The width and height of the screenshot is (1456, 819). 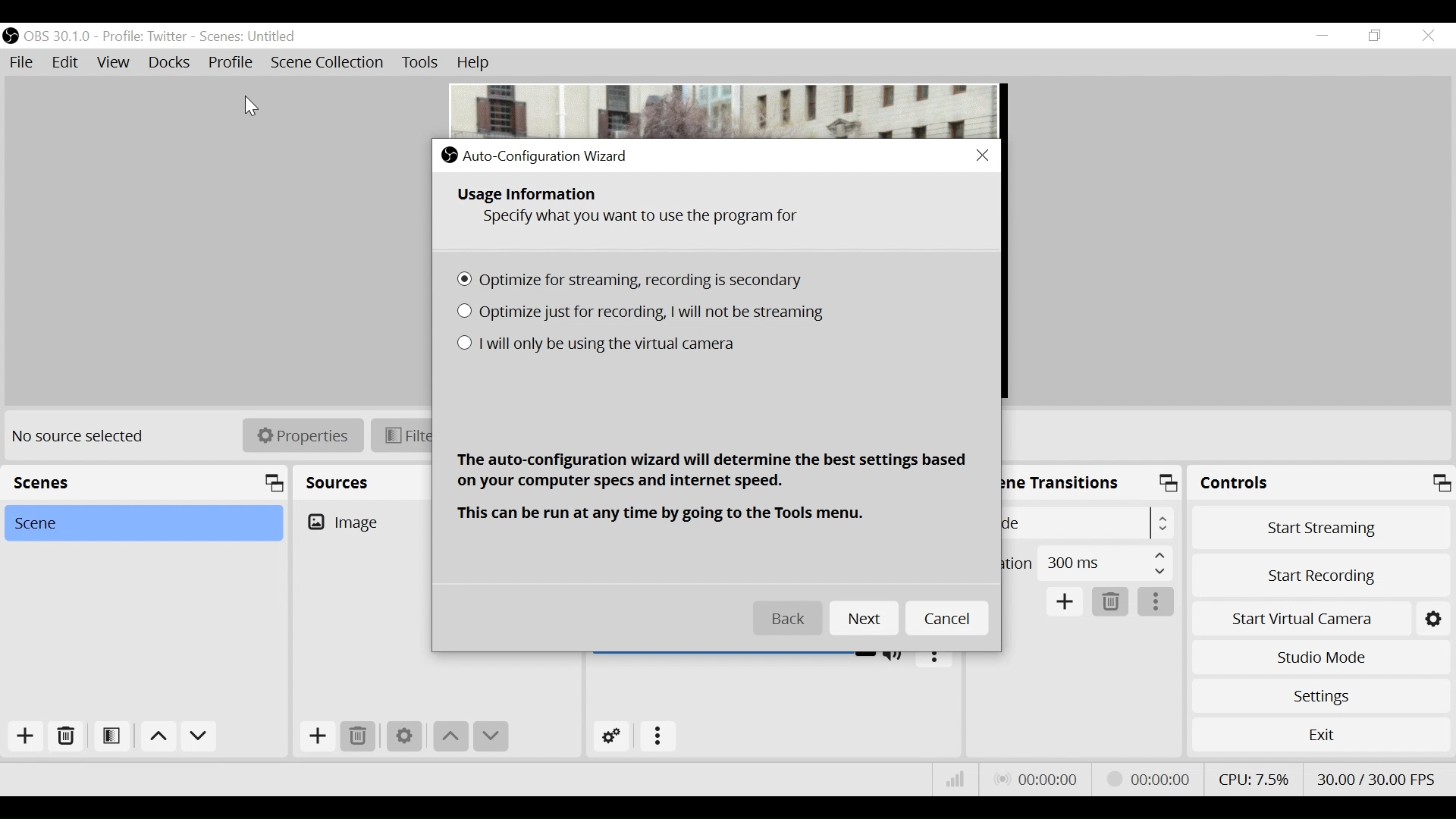 What do you see at coordinates (58, 36) in the screenshot?
I see `OBS Version` at bounding box center [58, 36].